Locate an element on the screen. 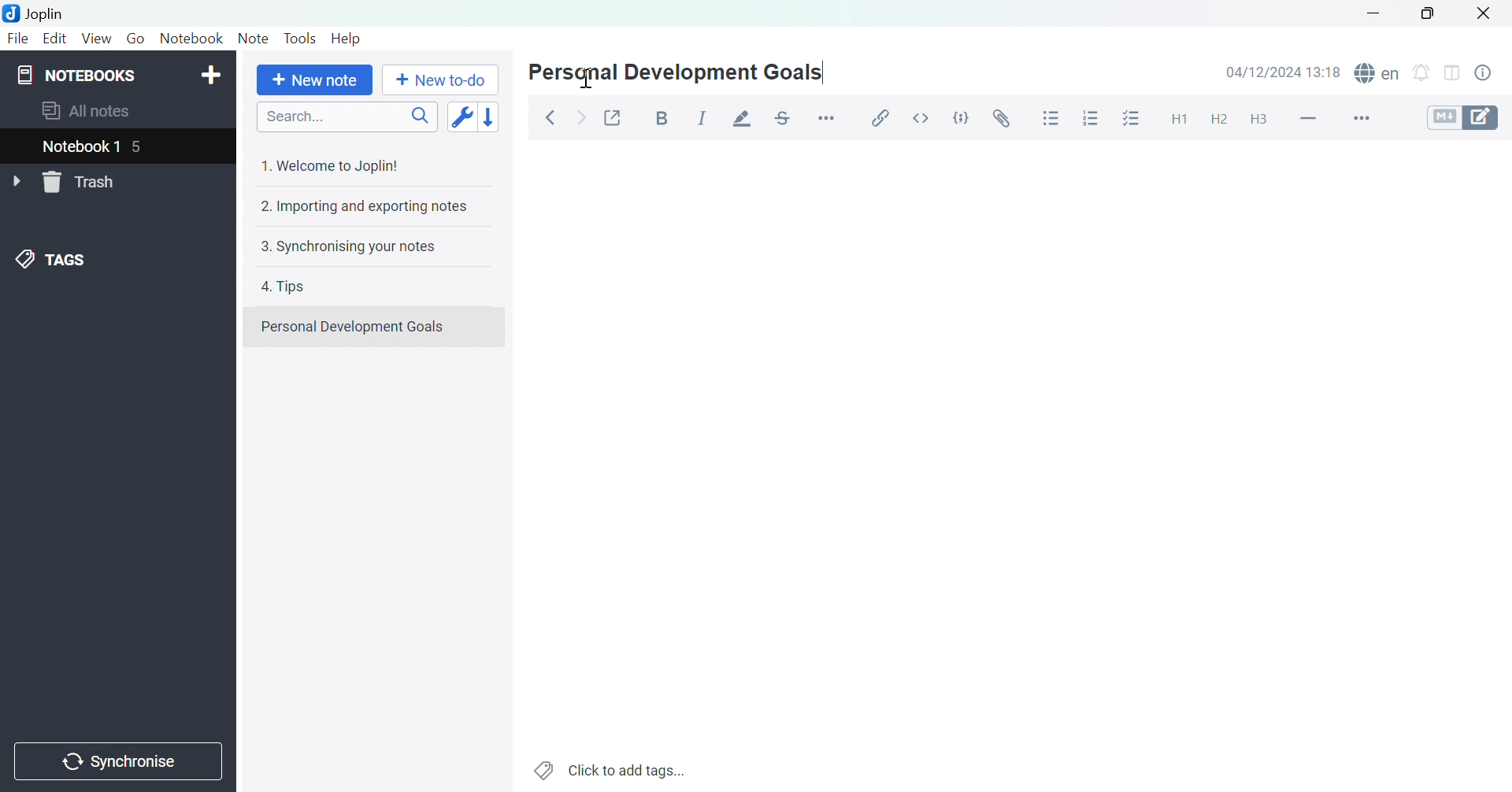 The image size is (1512, 792). Toggle sort order field is located at coordinates (460, 116).